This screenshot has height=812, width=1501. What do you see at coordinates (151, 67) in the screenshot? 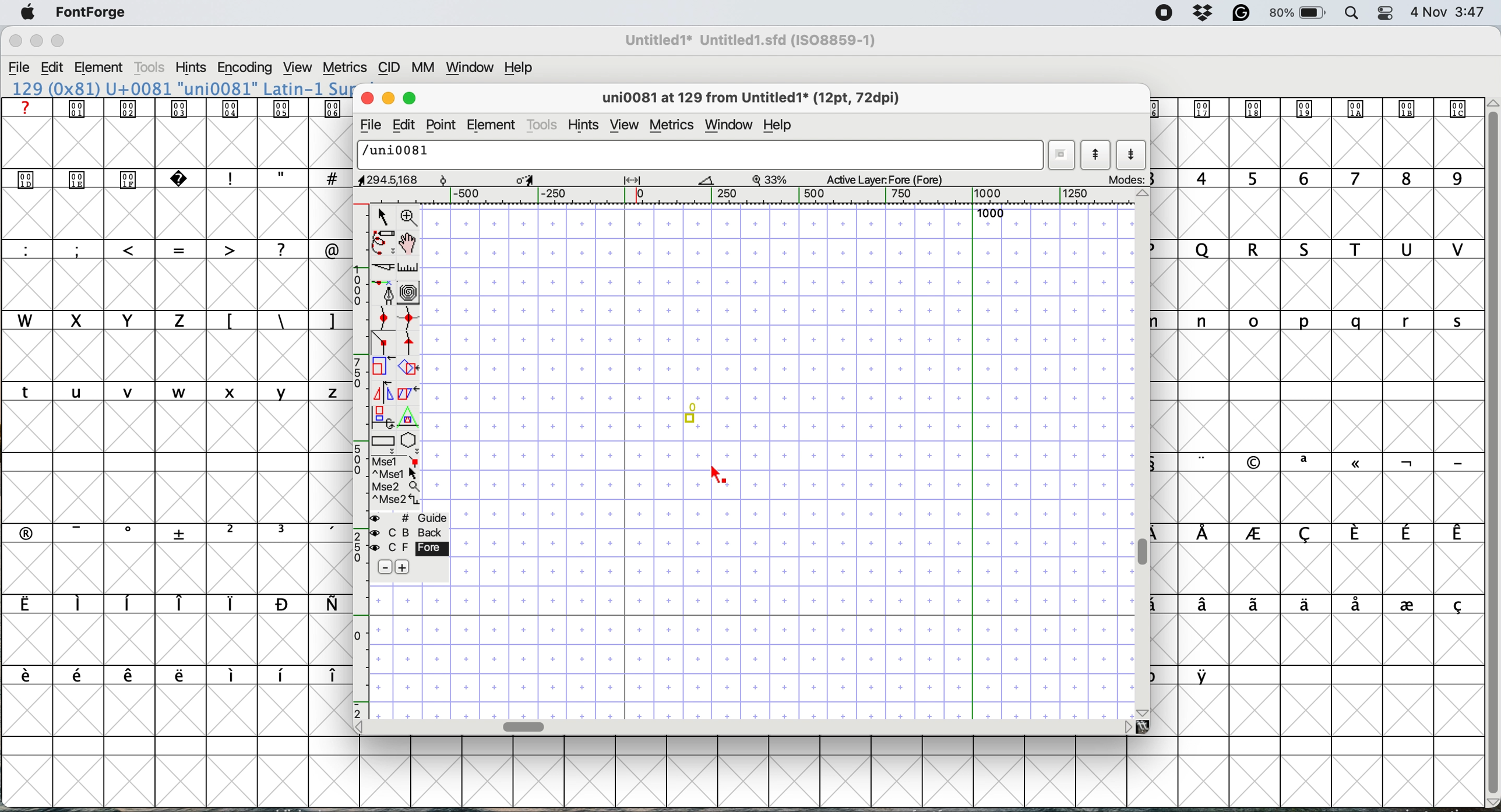
I see `Tools` at bounding box center [151, 67].